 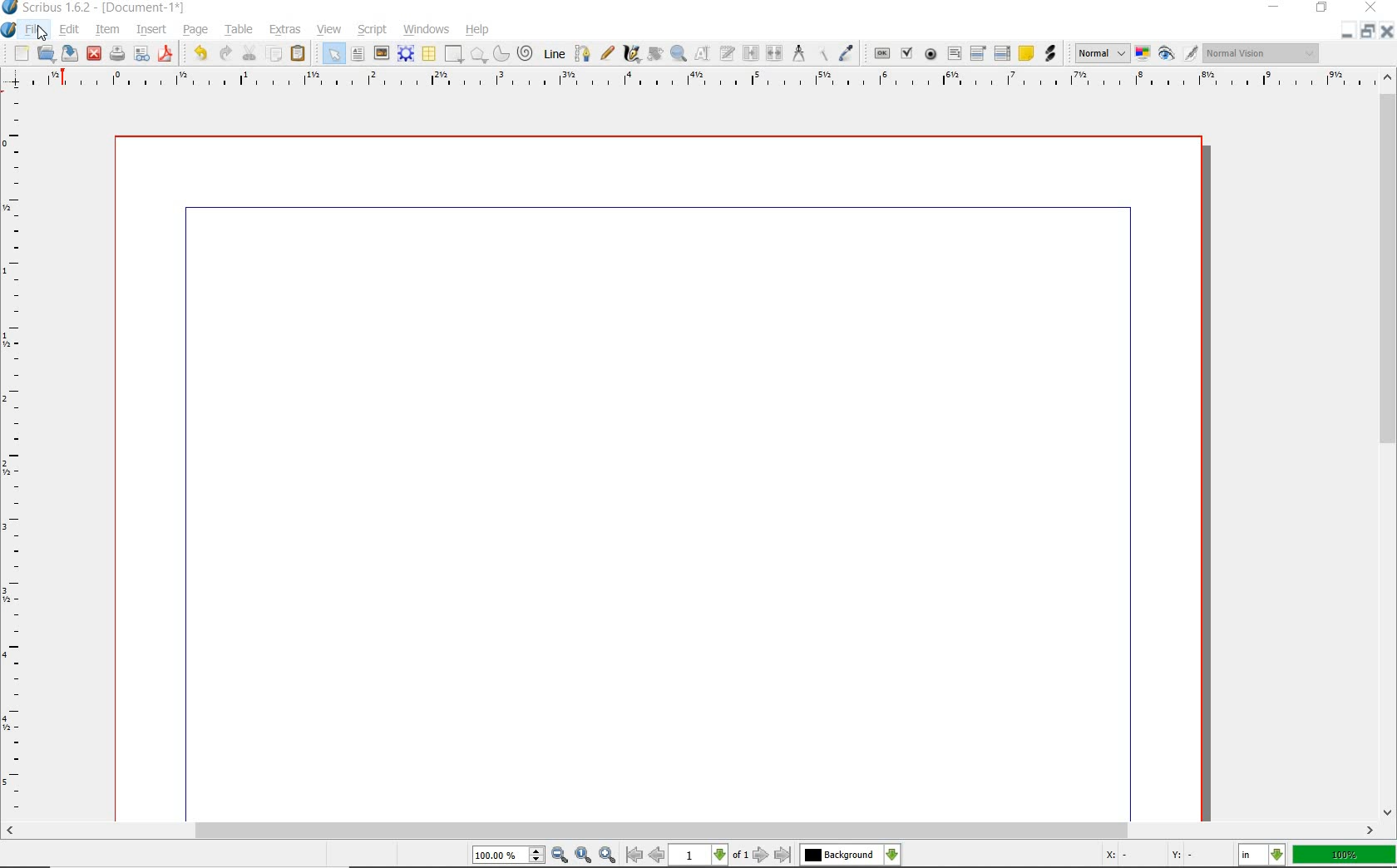 I want to click on minimize, so click(x=1276, y=8).